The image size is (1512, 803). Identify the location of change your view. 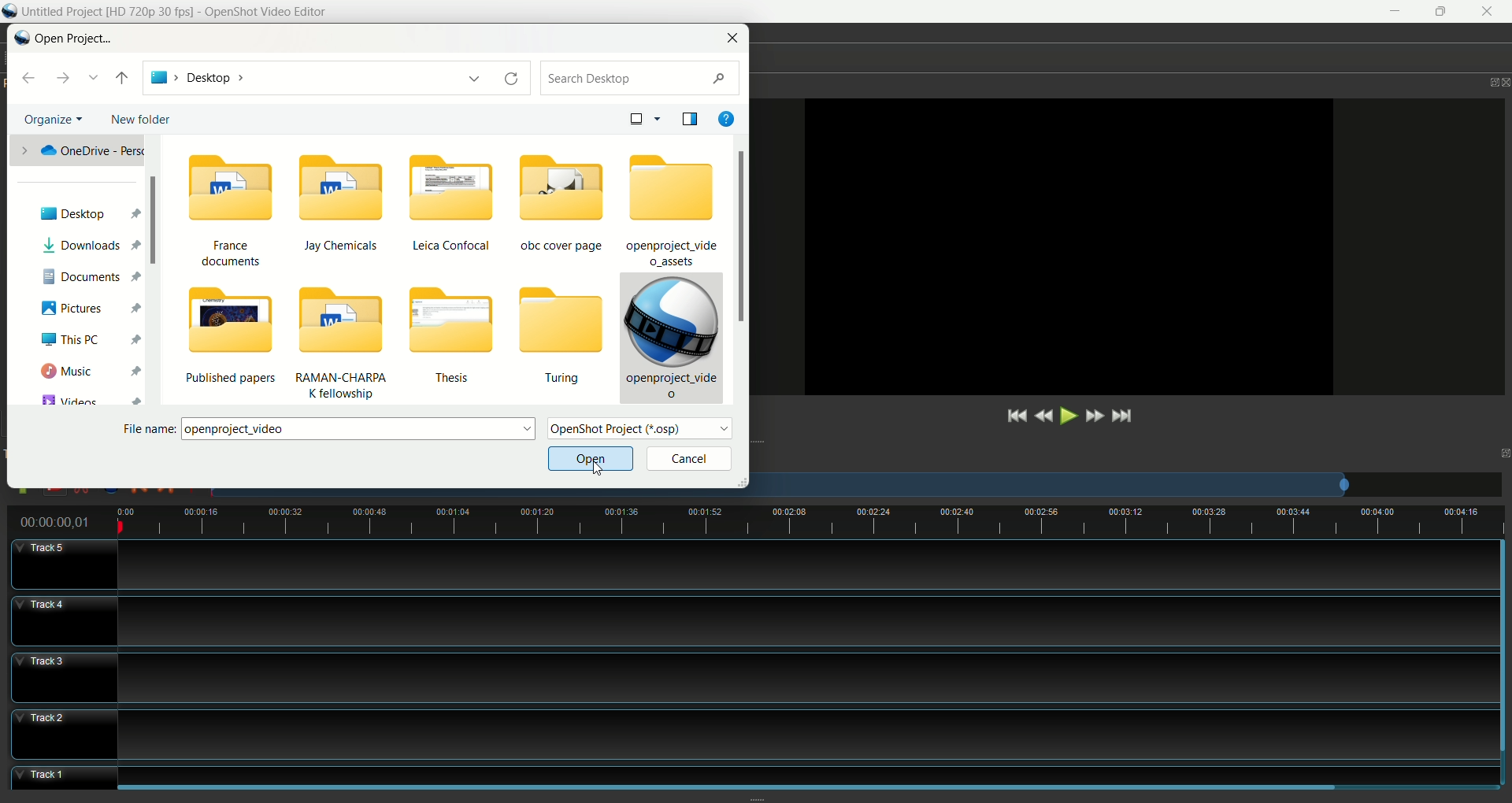
(645, 117).